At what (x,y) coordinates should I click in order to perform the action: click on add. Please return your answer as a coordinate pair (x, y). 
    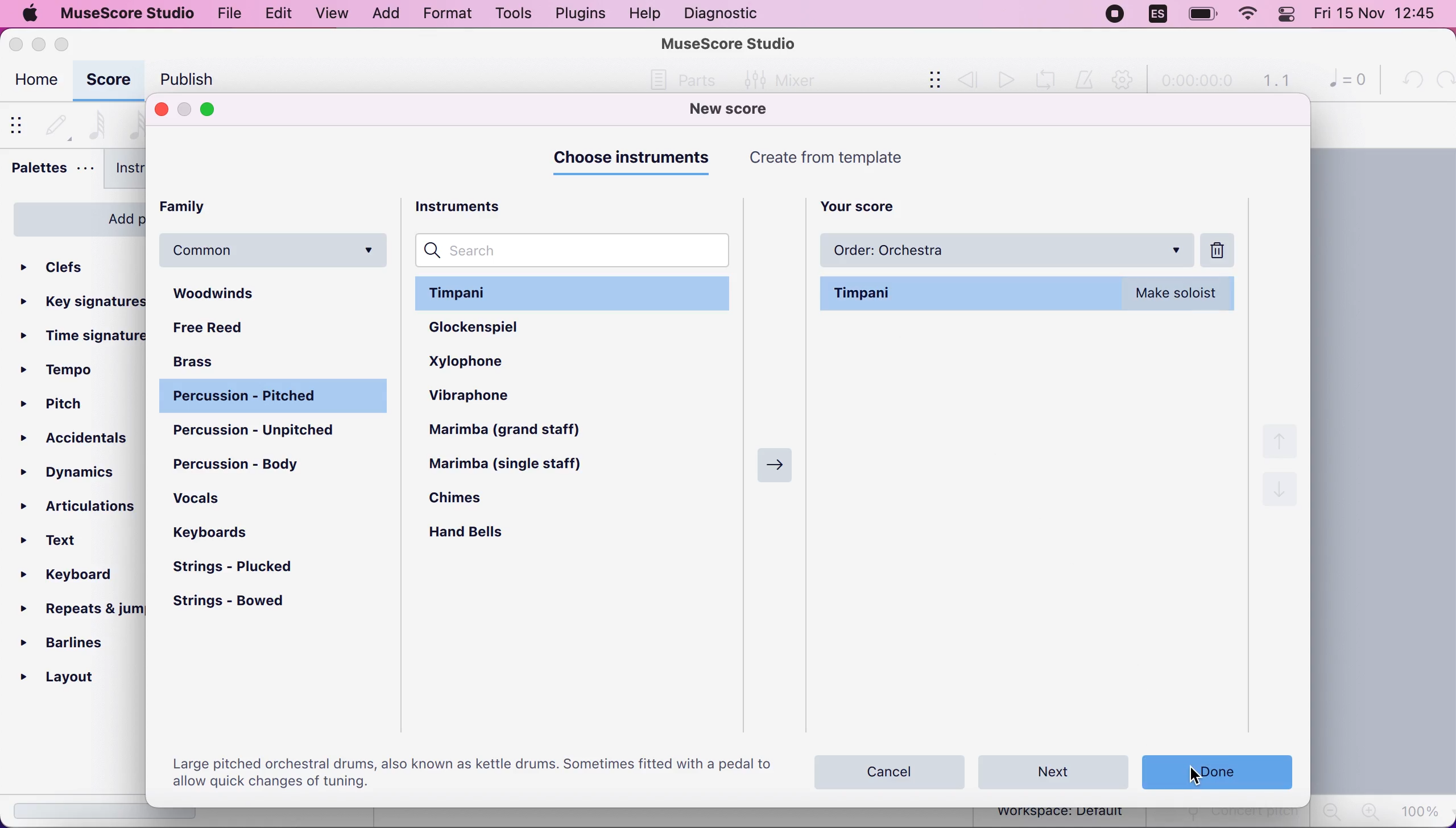
    Looking at the image, I should click on (385, 14).